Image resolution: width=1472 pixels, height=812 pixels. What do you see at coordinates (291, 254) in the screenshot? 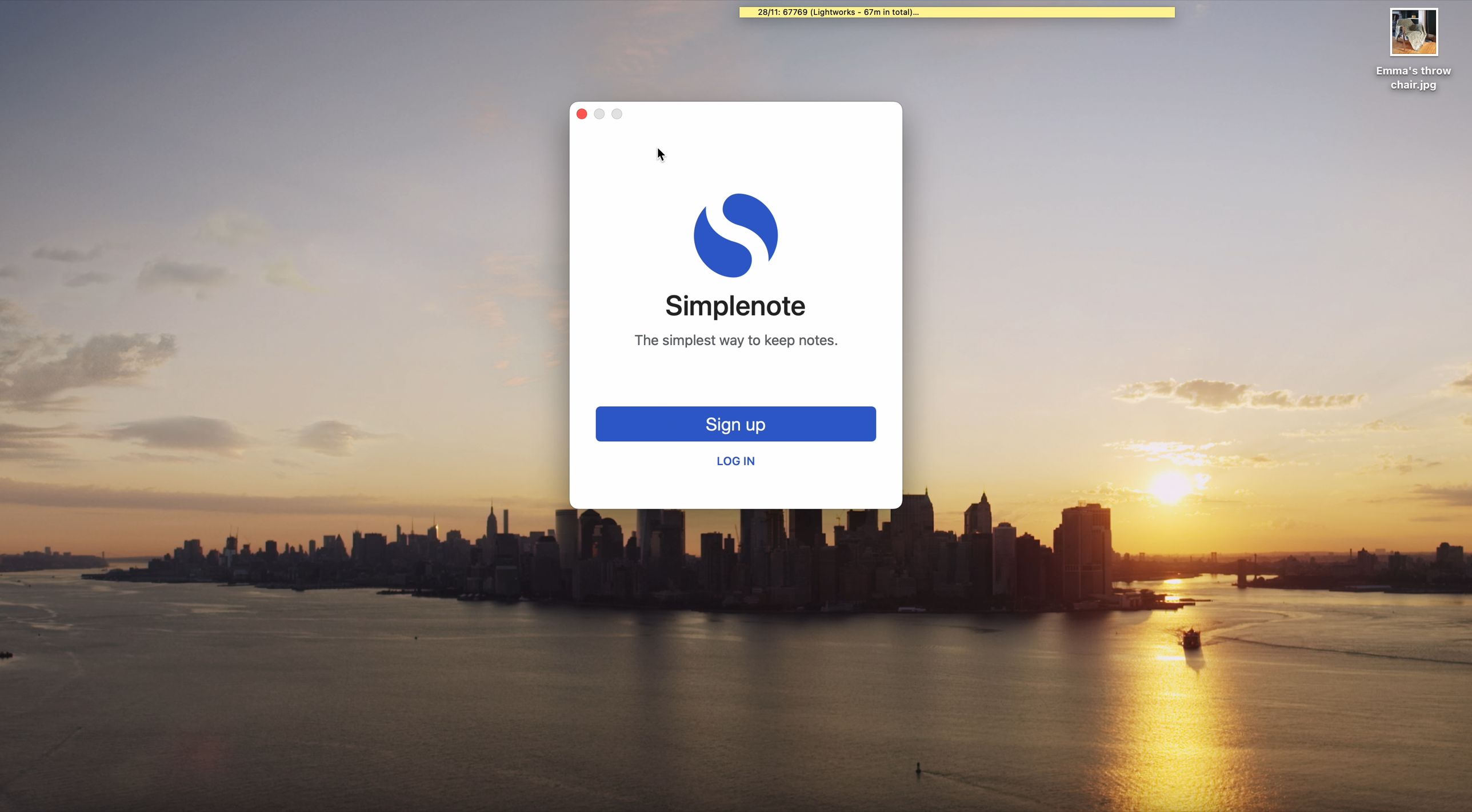
I see `background` at bounding box center [291, 254].